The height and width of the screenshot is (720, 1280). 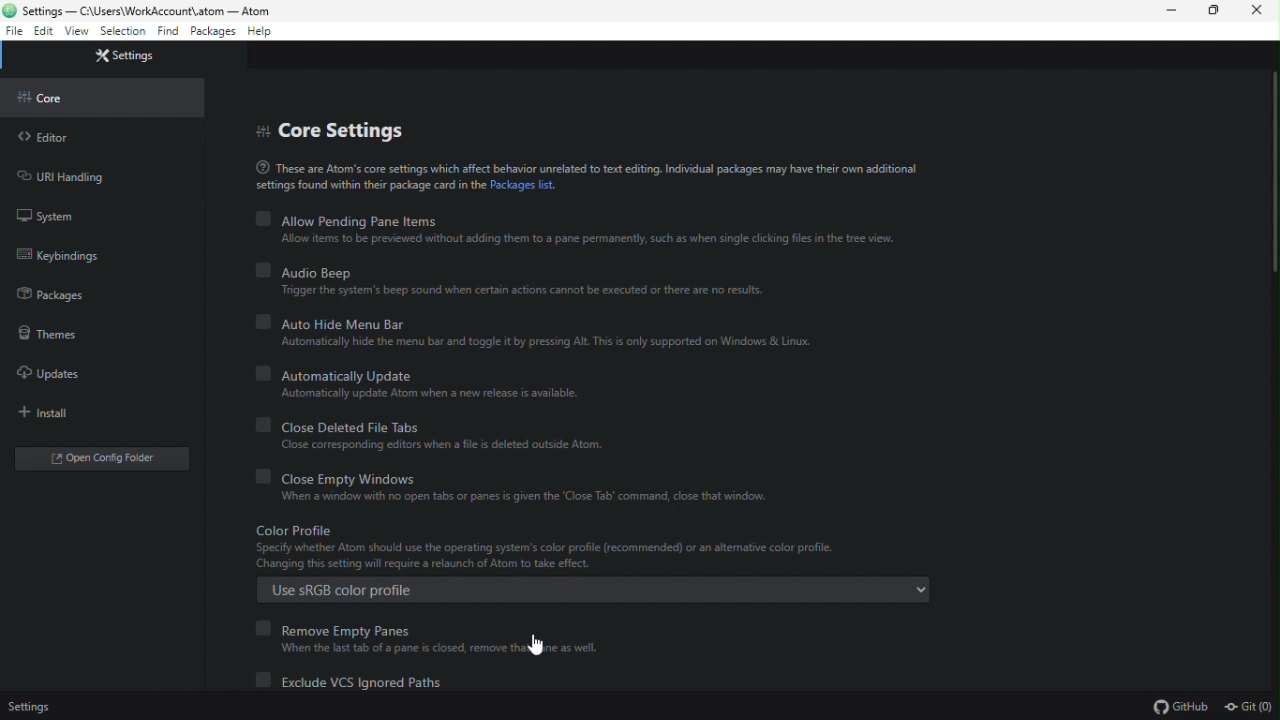 What do you see at coordinates (595, 564) in the screenshot?
I see `use sRGB color profile (enabled)` at bounding box center [595, 564].